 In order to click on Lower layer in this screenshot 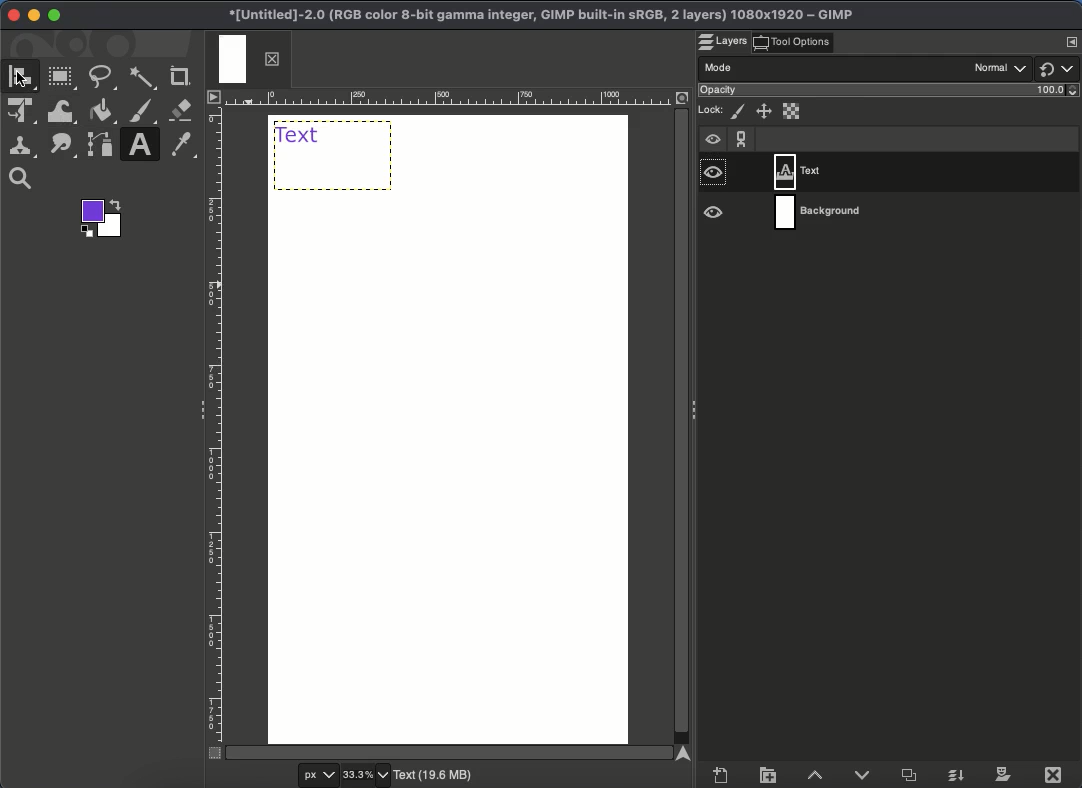, I will do `click(865, 775)`.